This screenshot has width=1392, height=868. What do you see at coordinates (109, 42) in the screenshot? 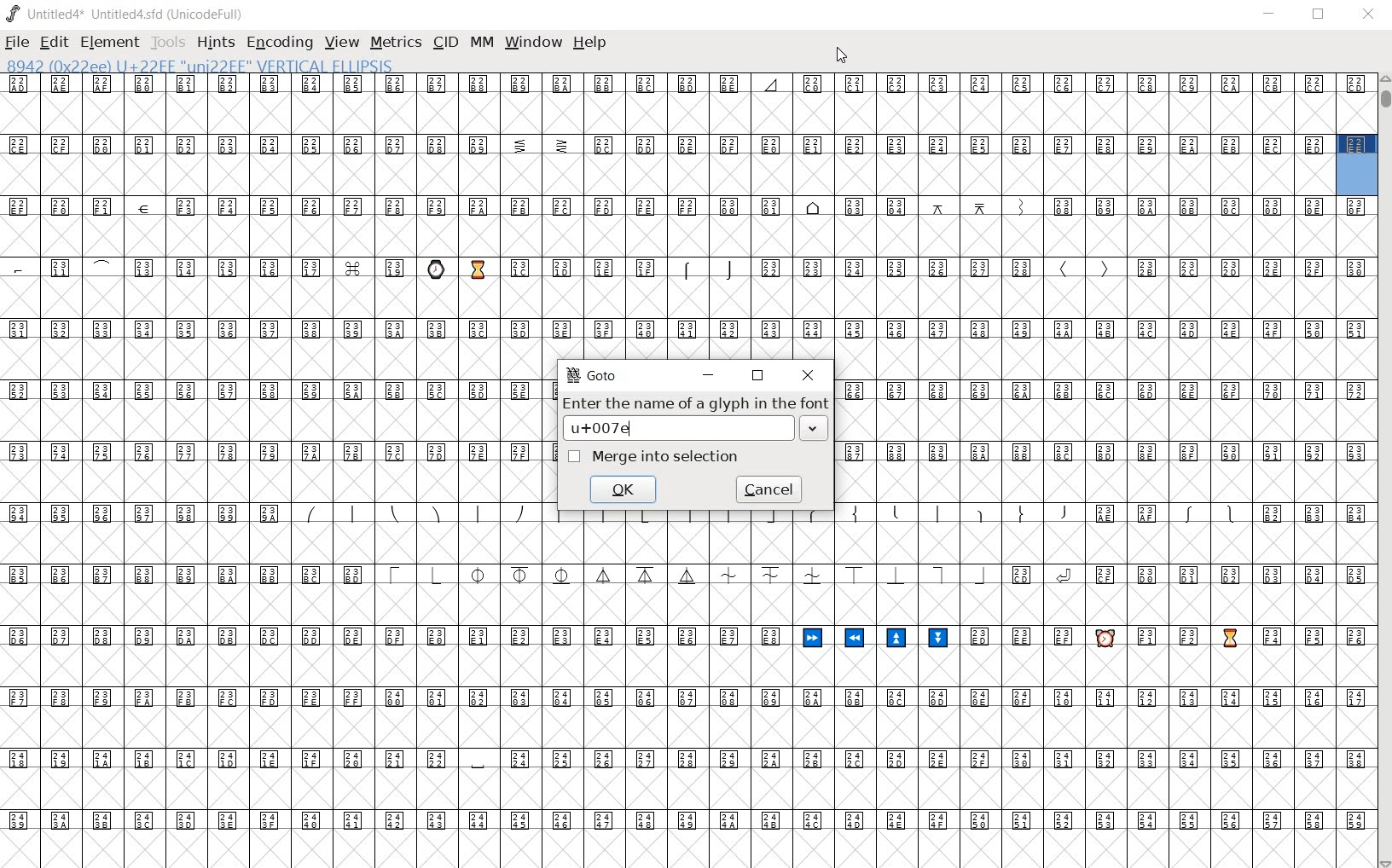
I see `ELEMENT` at bounding box center [109, 42].